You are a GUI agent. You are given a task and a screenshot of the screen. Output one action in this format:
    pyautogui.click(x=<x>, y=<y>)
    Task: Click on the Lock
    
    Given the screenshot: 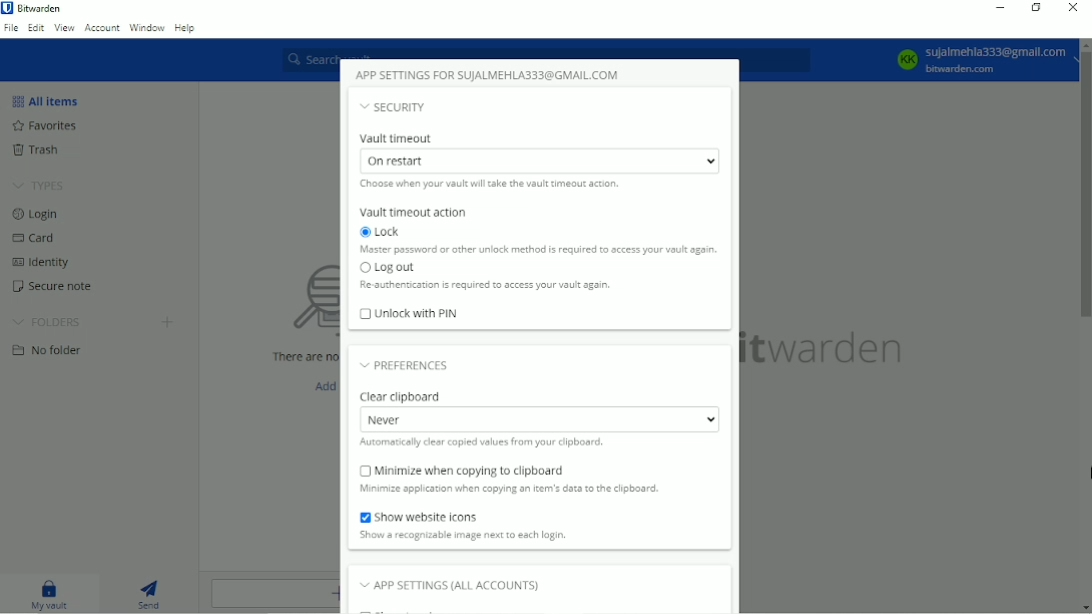 What is the action you would take?
    pyautogui.click(x=387, y=232)
    